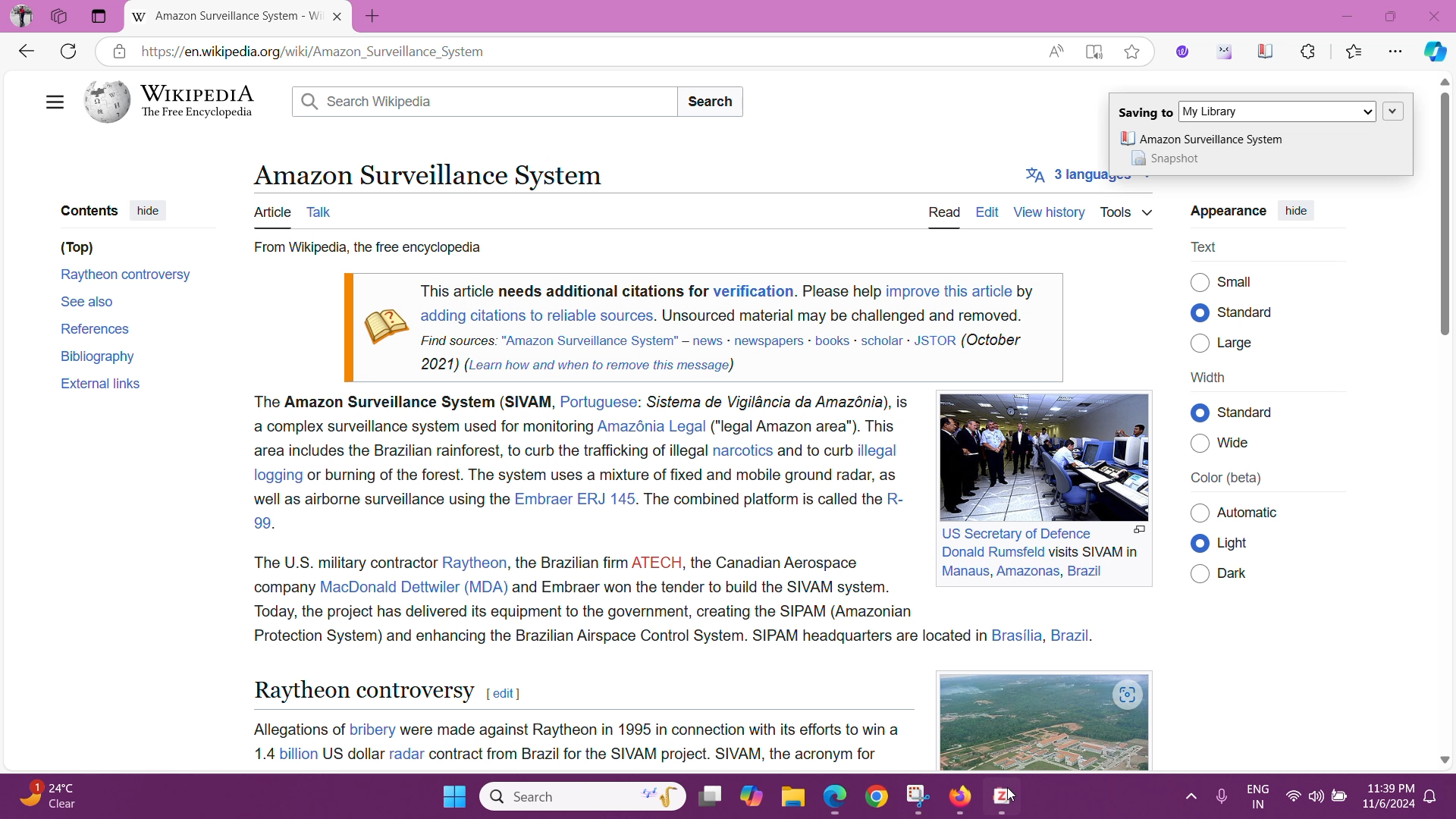 The width and height of the screenshot is (1456, 819). Describe the element at coordinates (1314, 797) in the screenshot. I see `volume` at that location.